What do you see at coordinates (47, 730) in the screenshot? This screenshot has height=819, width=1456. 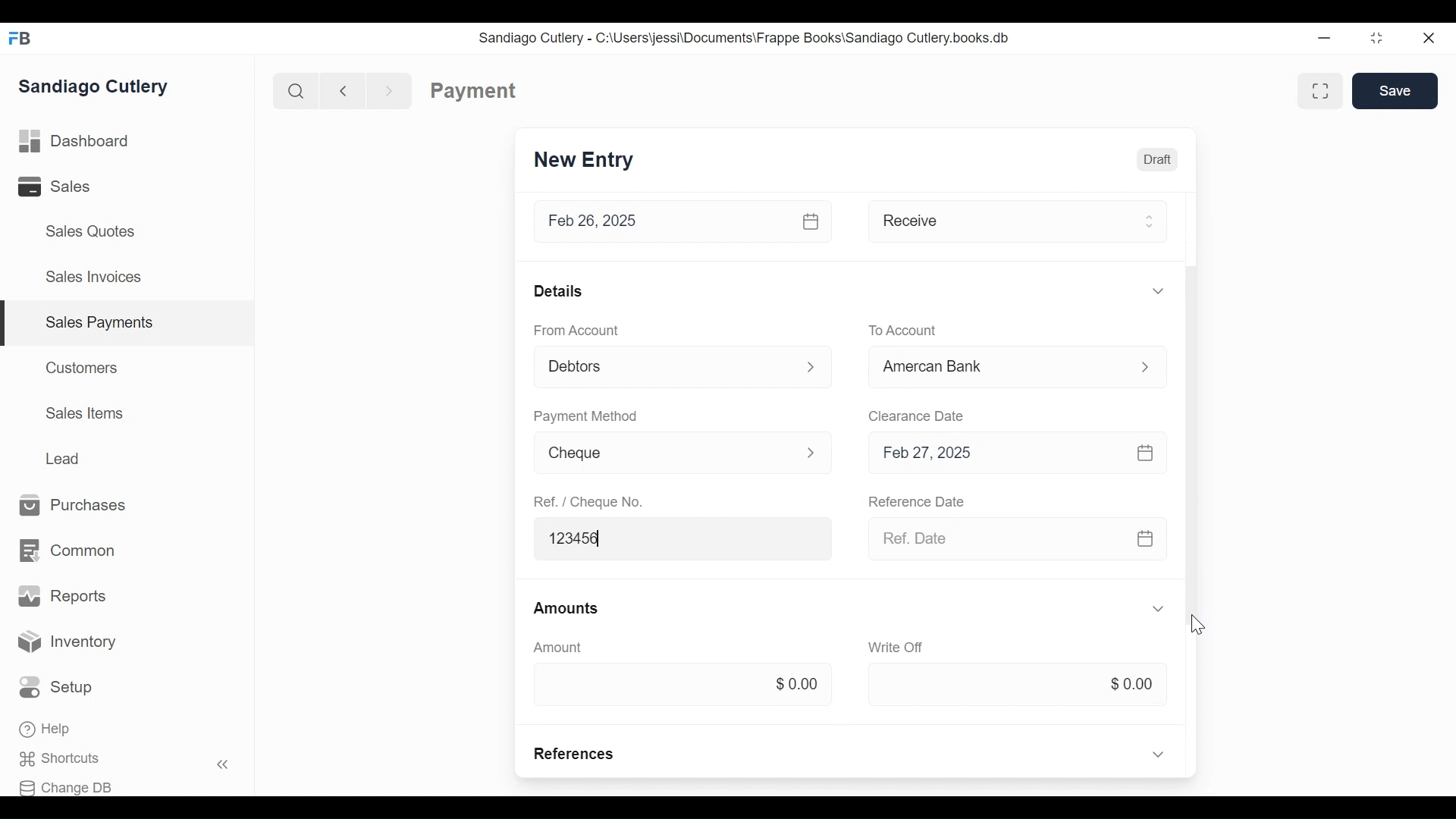 I see `Help` at bounding box center [47, 730].